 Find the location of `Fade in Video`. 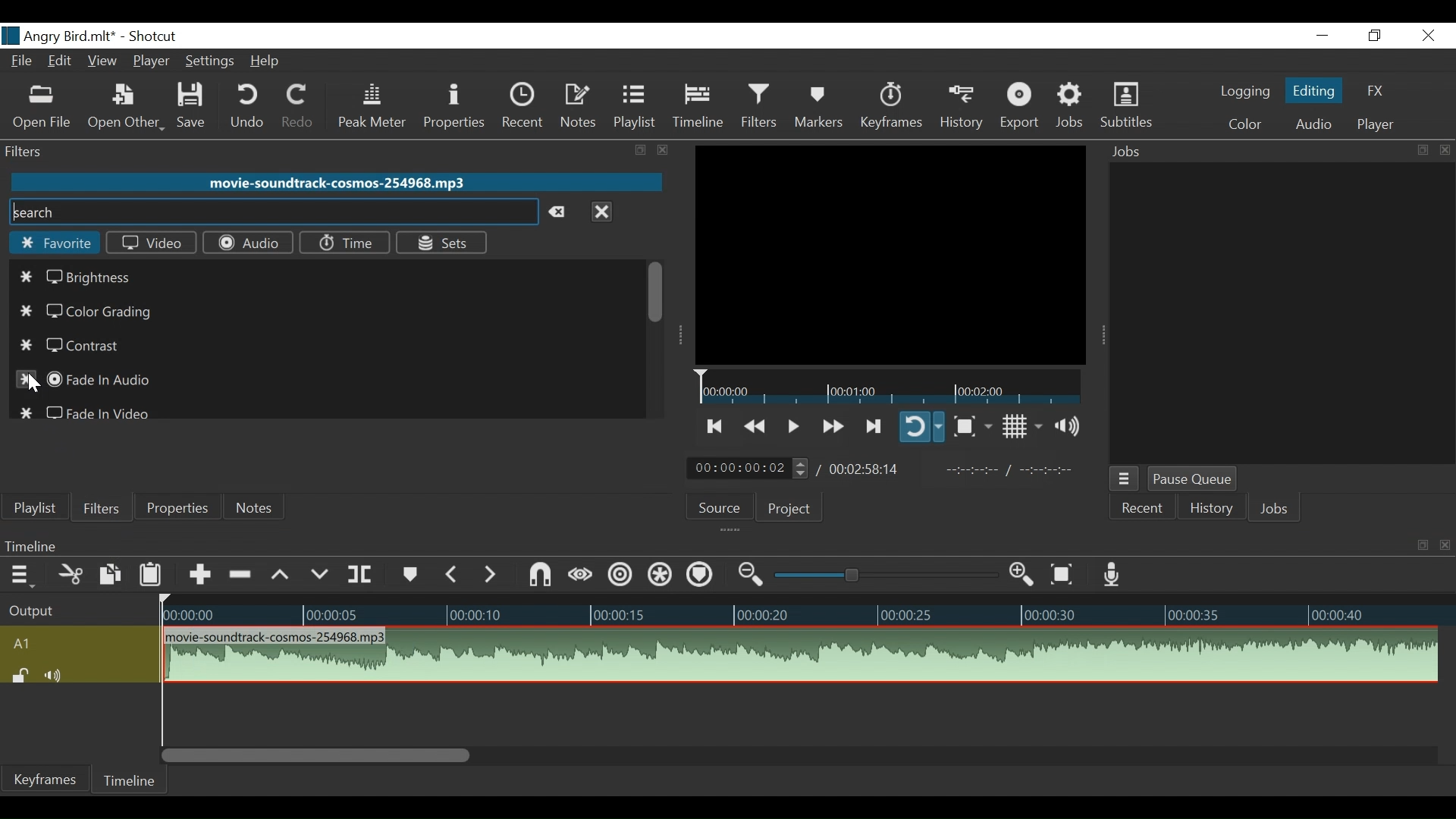

Fade in Video is located at coordinates (93, 409).